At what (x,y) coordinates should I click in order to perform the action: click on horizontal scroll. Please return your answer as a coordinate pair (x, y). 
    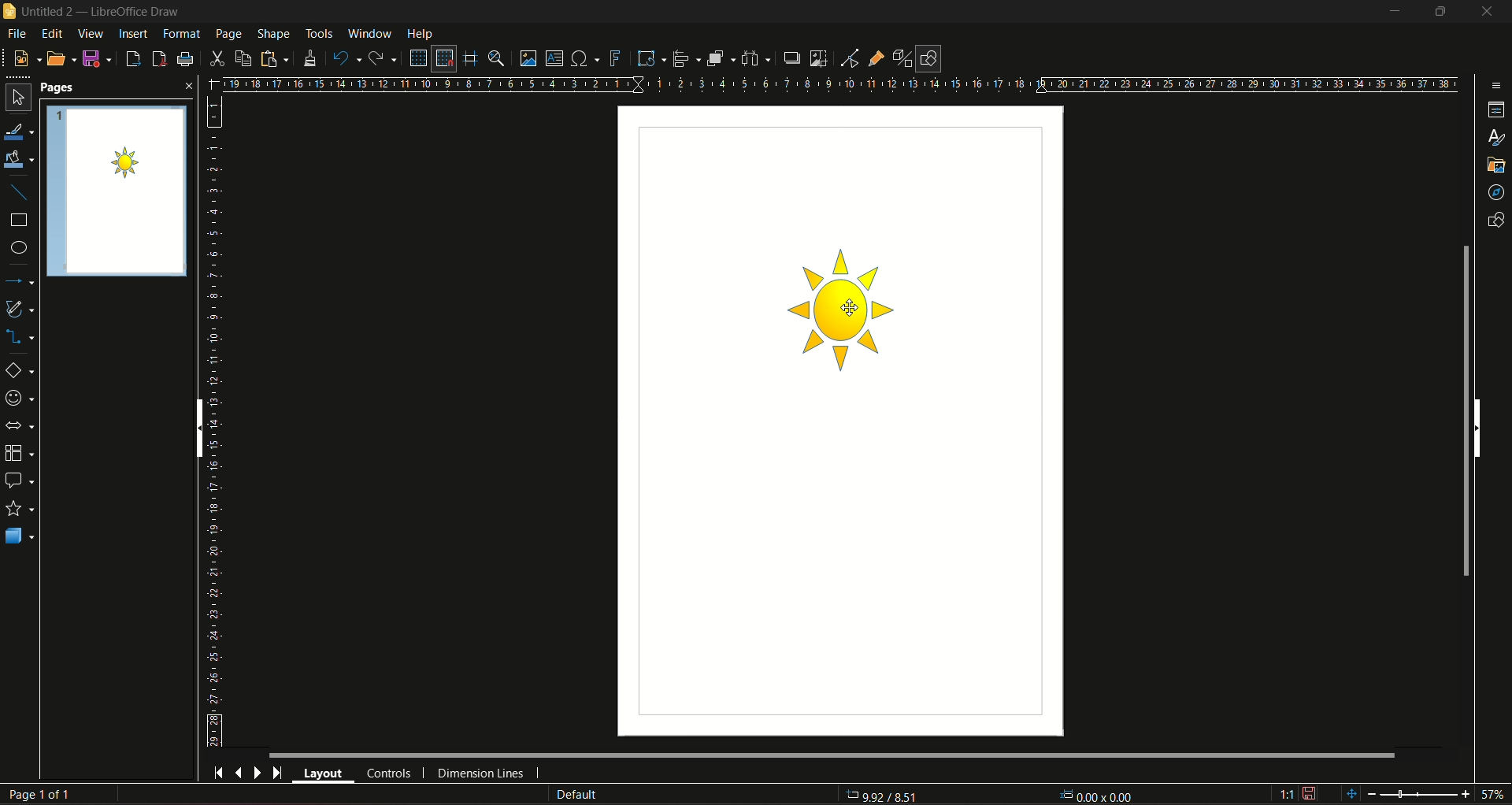
    Looking at the image, I should click on (825, 755).